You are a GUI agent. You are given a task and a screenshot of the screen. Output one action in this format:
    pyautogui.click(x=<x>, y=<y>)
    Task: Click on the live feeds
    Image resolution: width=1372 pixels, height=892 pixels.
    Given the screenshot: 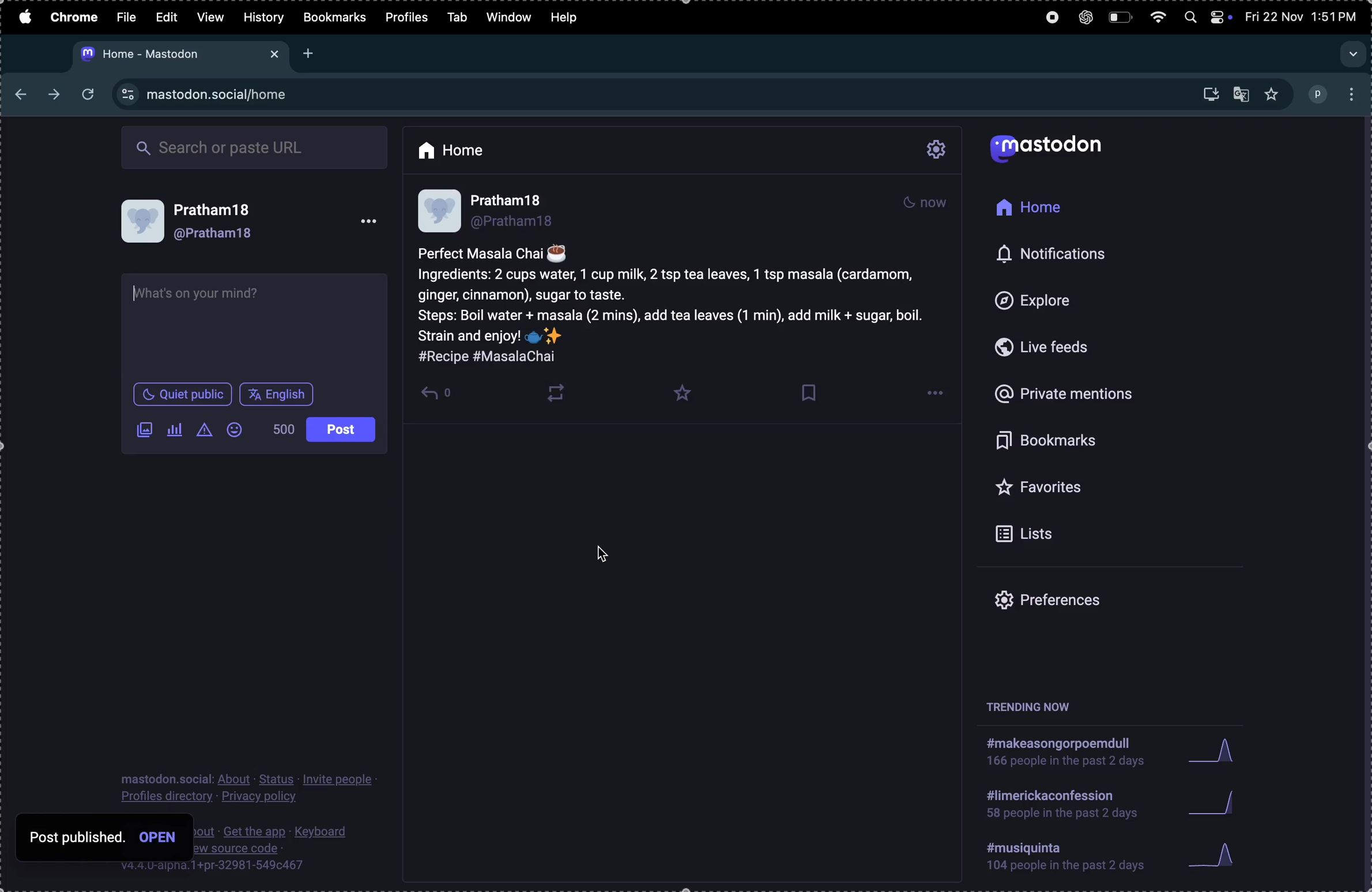 What is the action you would take?
    pyautogui.click(x=1058, y=344)
    